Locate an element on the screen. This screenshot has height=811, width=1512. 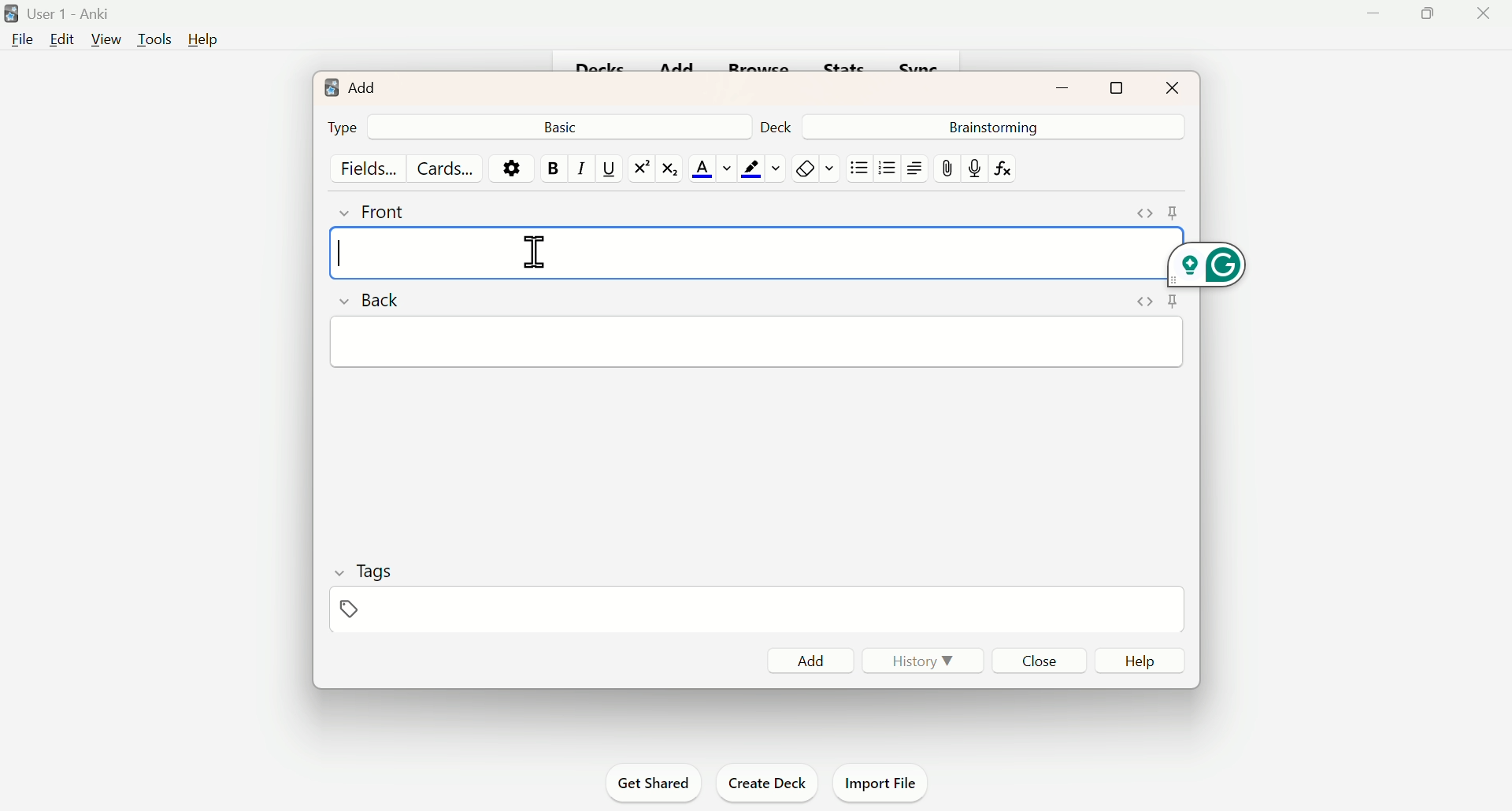
Unorganised list is located at coordinates (860, 167).